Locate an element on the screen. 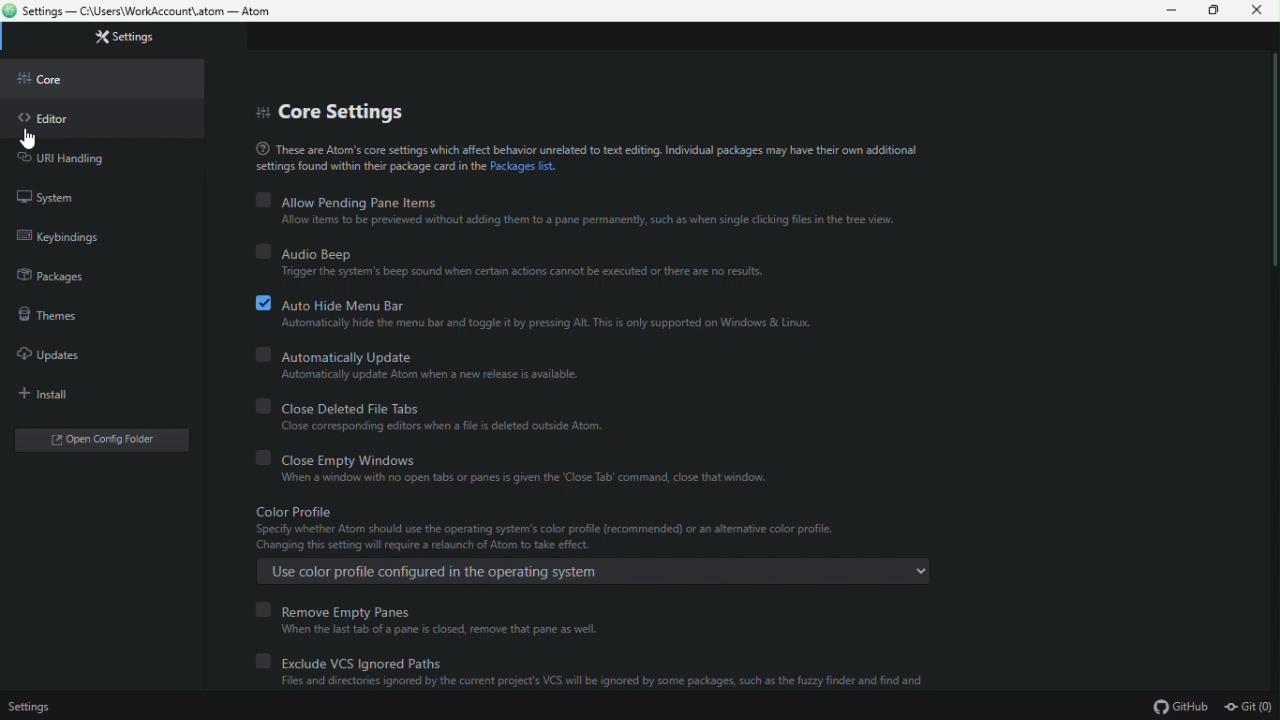  Packages is located at coordinates (59, 279).